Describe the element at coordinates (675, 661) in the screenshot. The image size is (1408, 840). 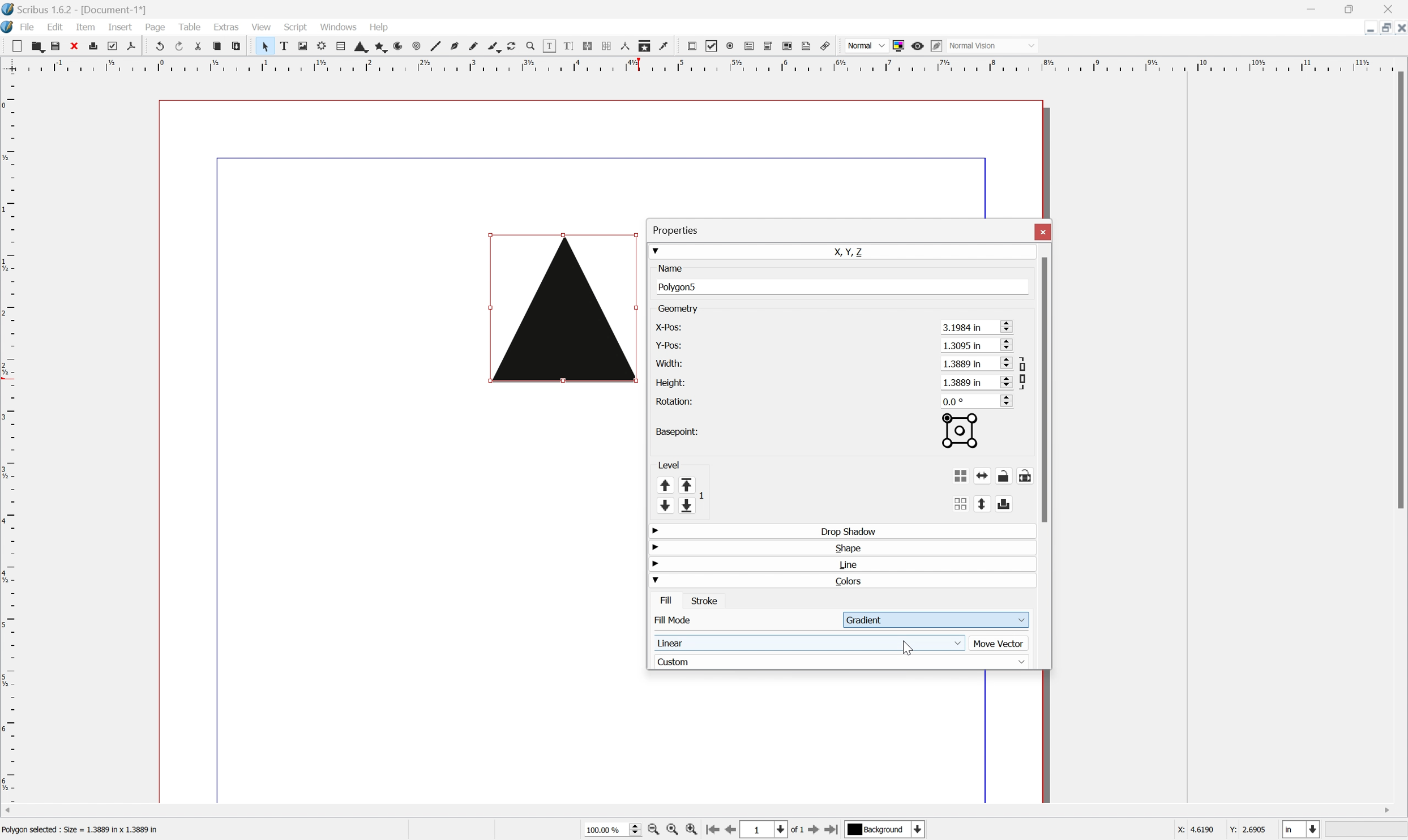
I see `Custom` at that location.